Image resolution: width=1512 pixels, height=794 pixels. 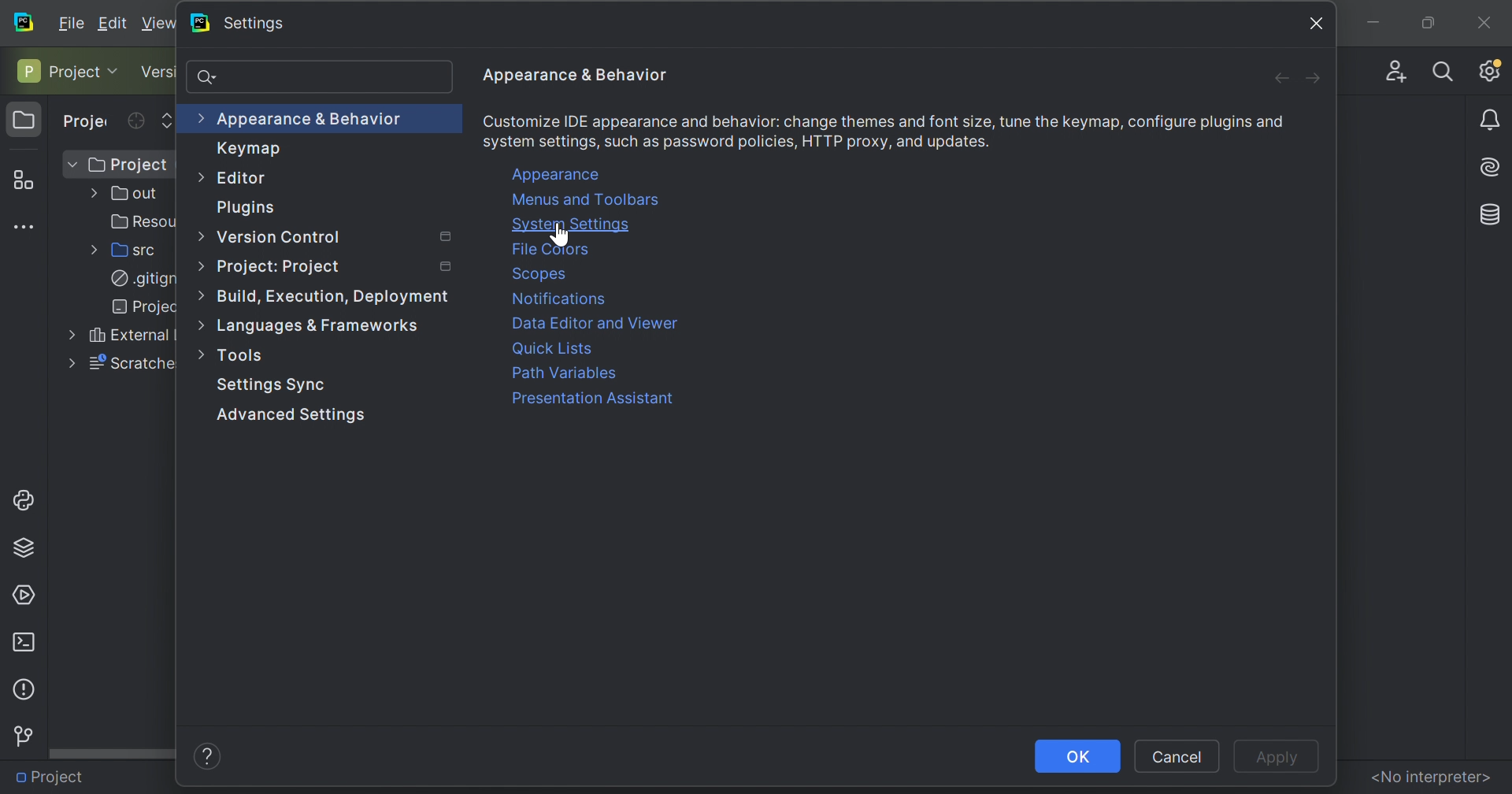 I want to click on Version control, so click(x=158, y=72).